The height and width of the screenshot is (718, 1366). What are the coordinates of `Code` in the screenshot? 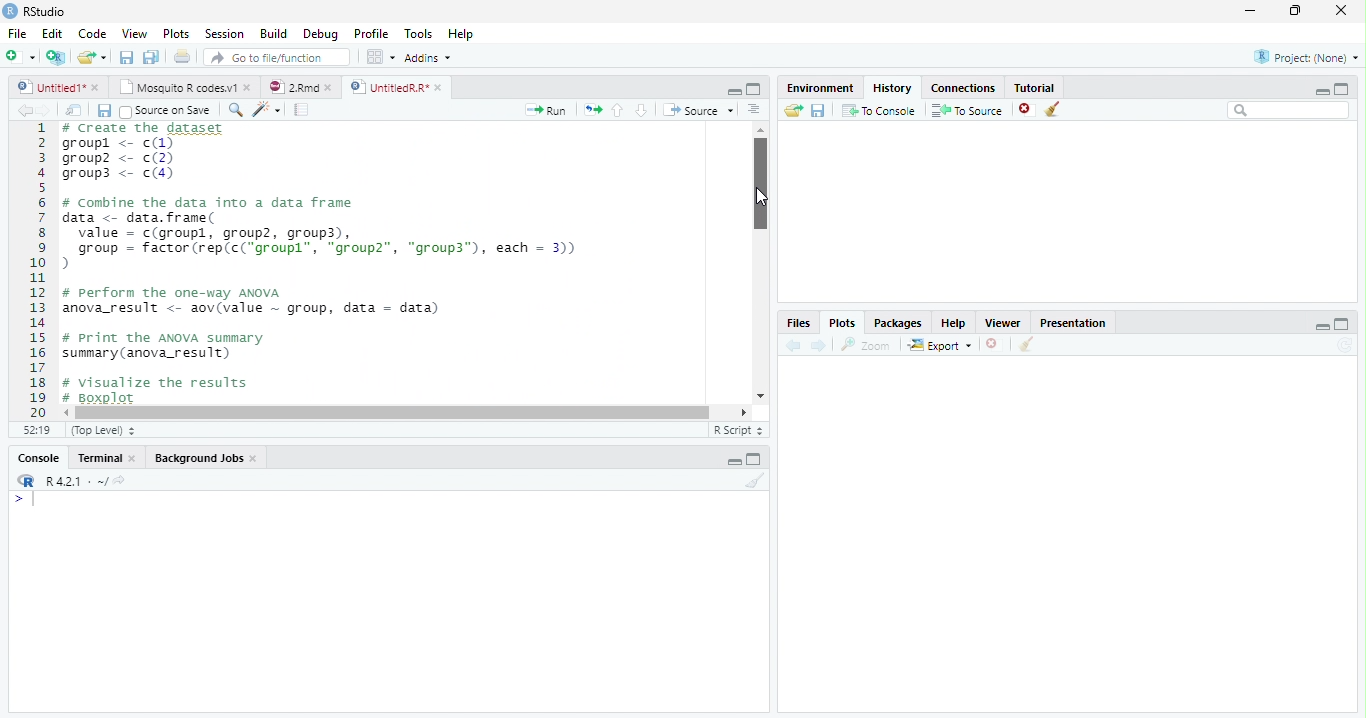 It's located at (90, 34).